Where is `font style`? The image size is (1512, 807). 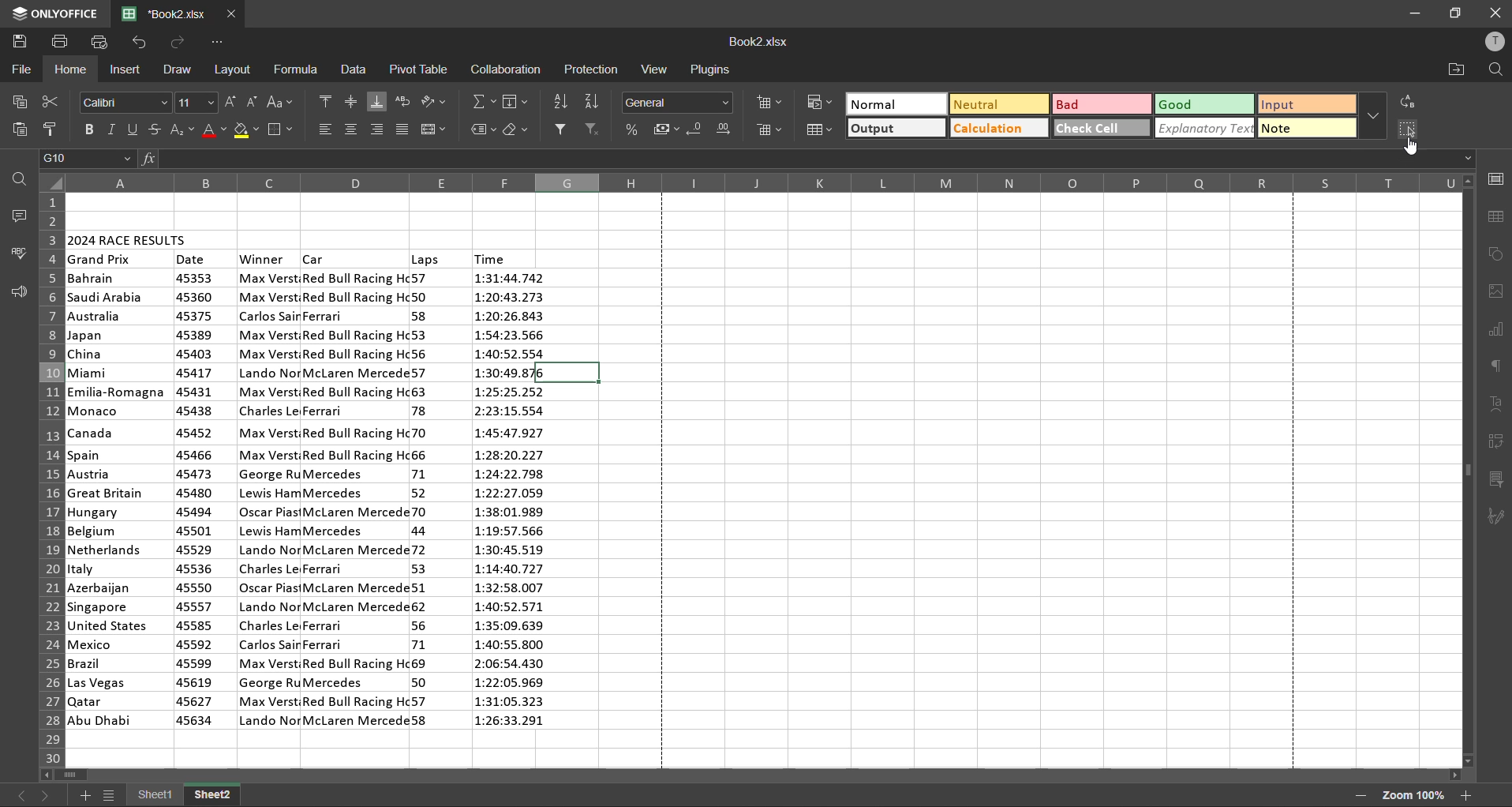
font style is located at coordinates (124, 103).